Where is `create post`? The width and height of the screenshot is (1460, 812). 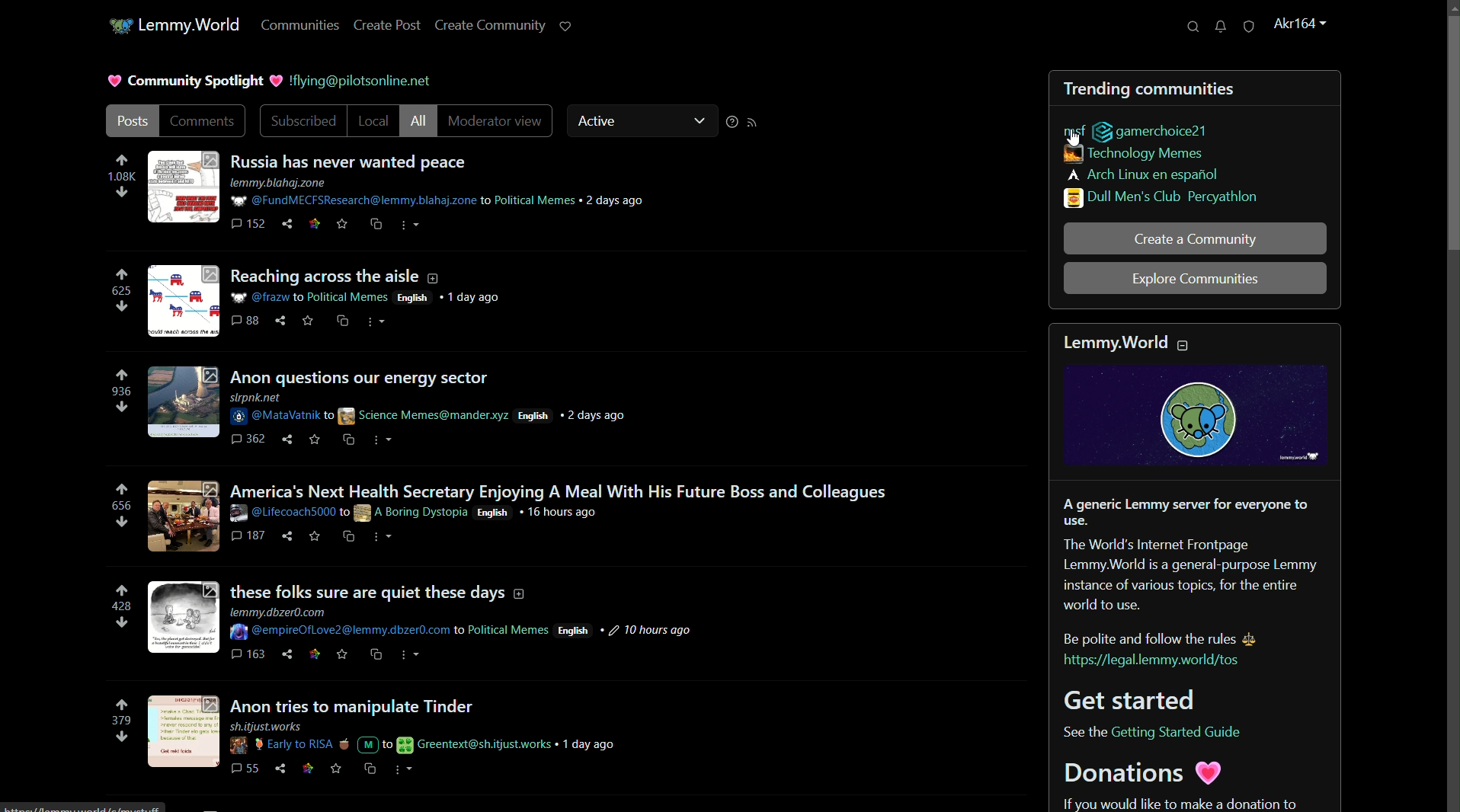
create post is located at coordinates (386, 27).